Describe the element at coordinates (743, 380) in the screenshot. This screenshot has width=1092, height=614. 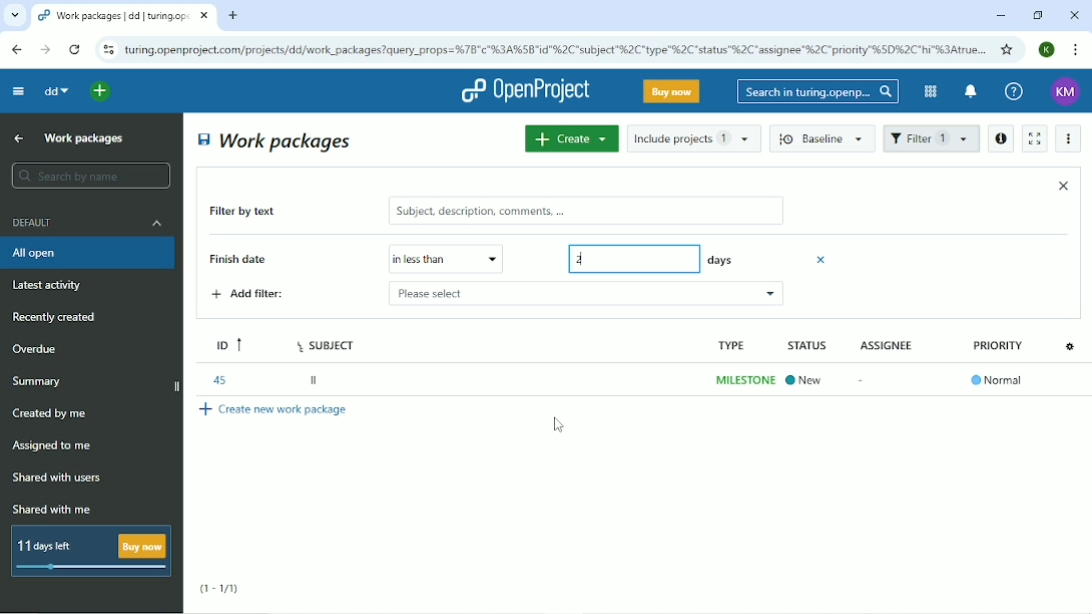
I see `milestone` at that location.